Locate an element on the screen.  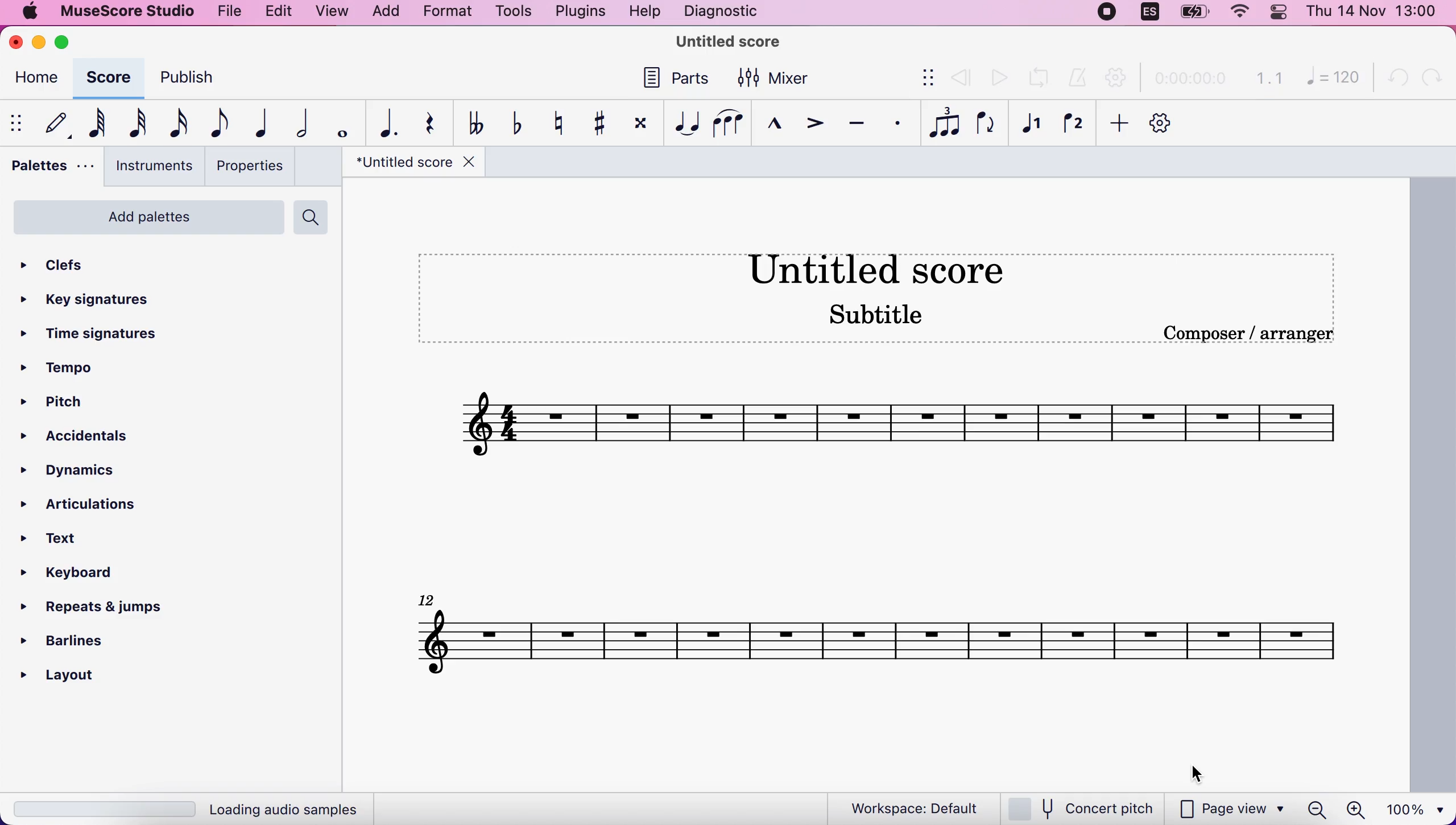
voice1 is located at coordinates (1031, 127).